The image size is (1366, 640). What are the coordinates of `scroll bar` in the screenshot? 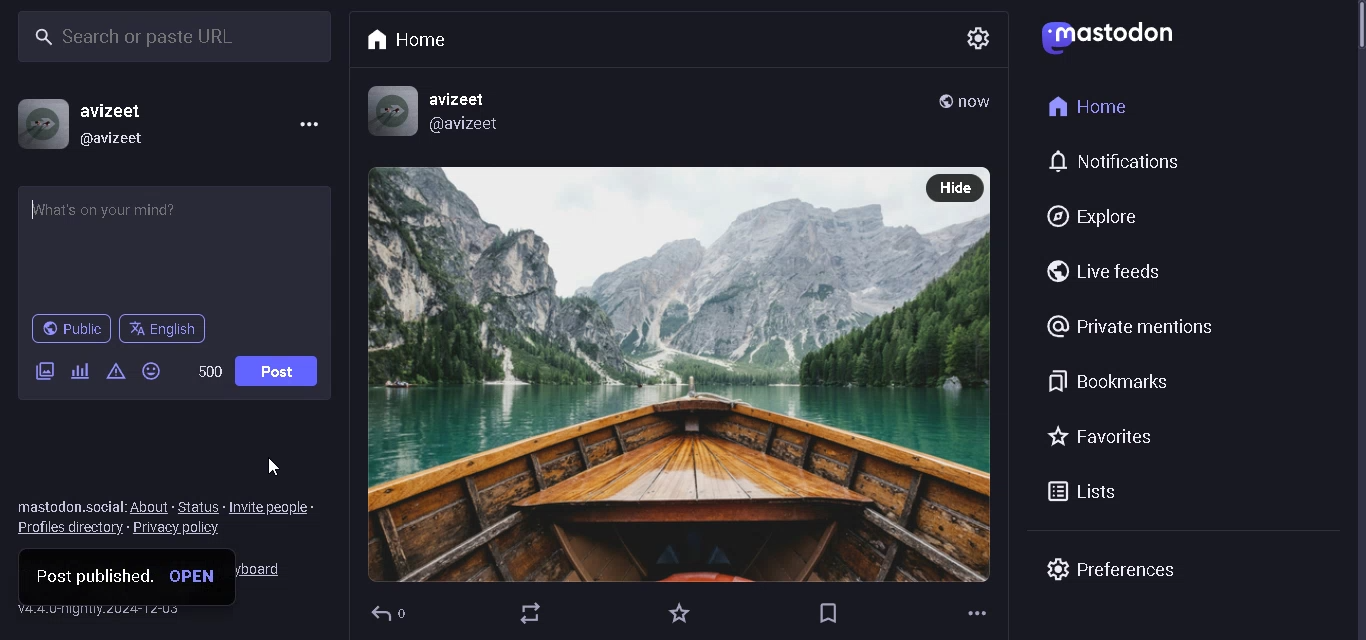 It's located at (1353, 43).